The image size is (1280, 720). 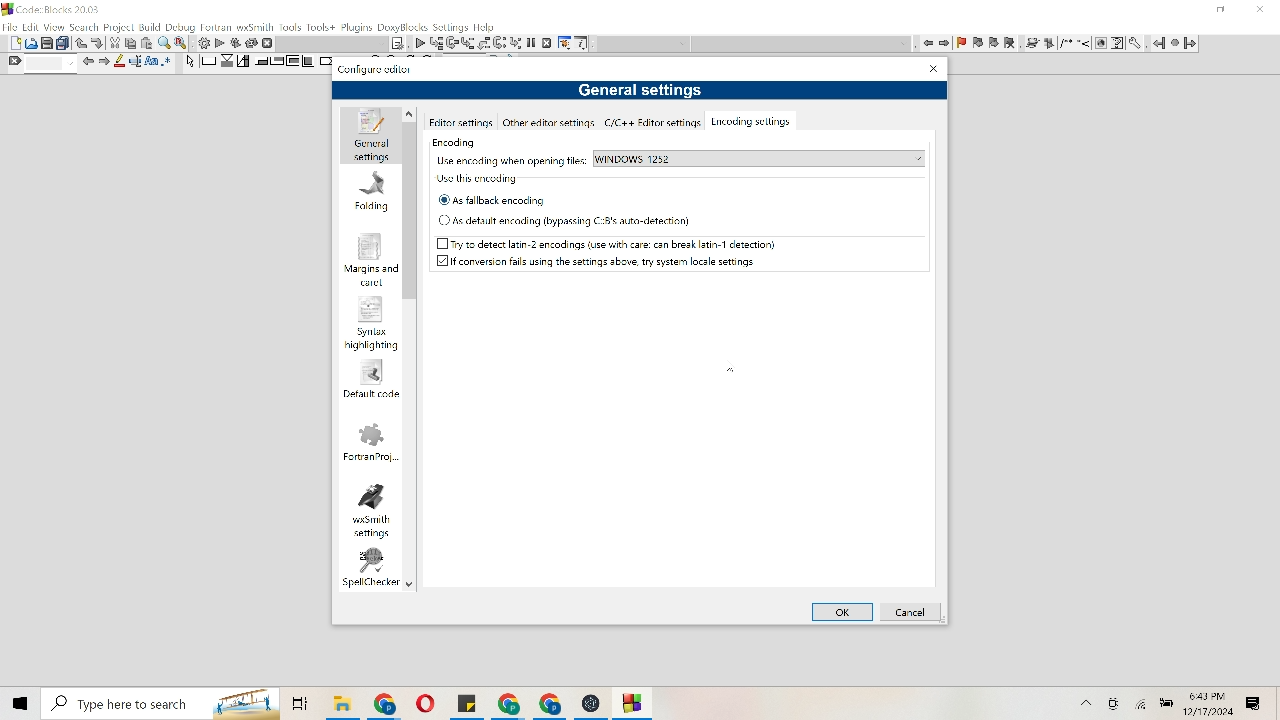 I want to click on Tools, so click(x=291, y=28).